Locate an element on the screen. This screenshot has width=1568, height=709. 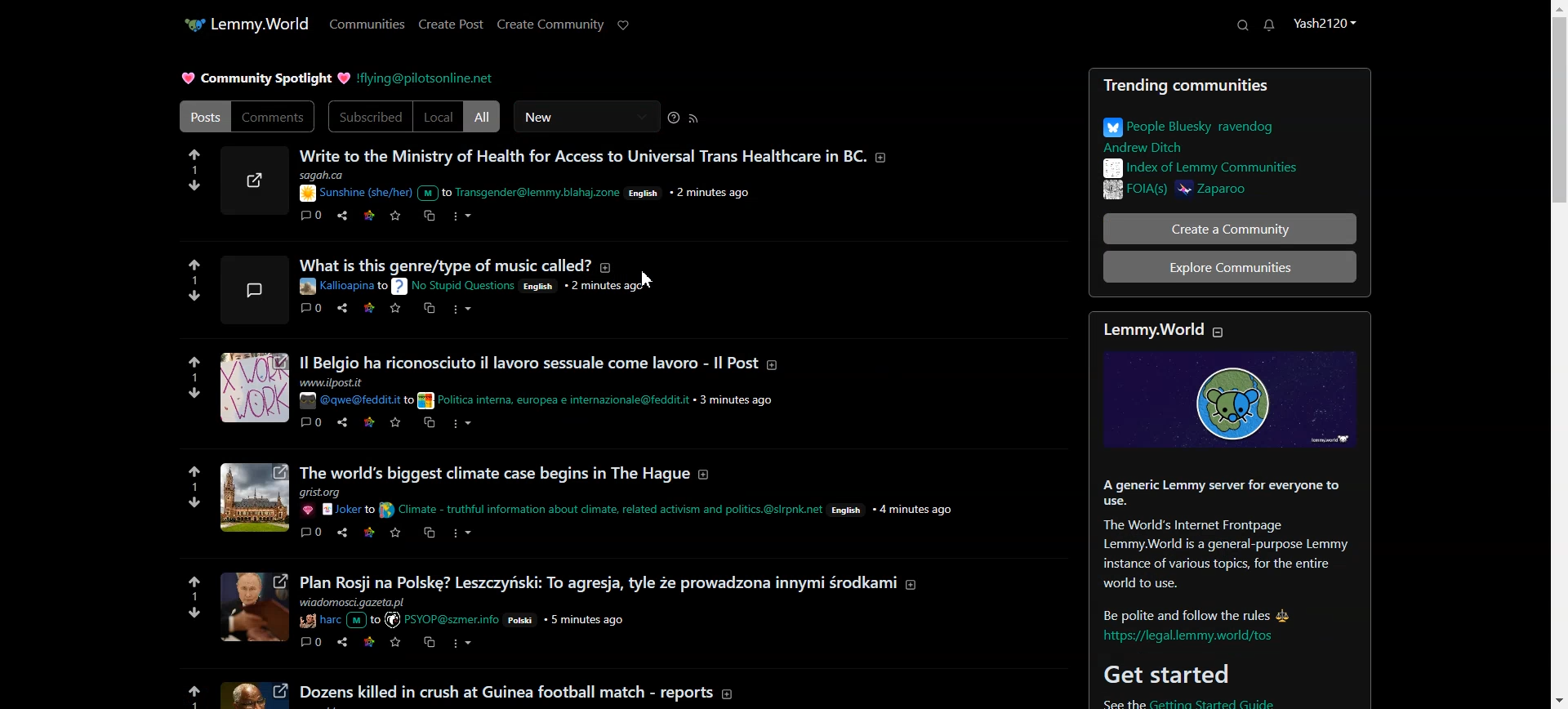
downvote is located at coordinates (197, 296).